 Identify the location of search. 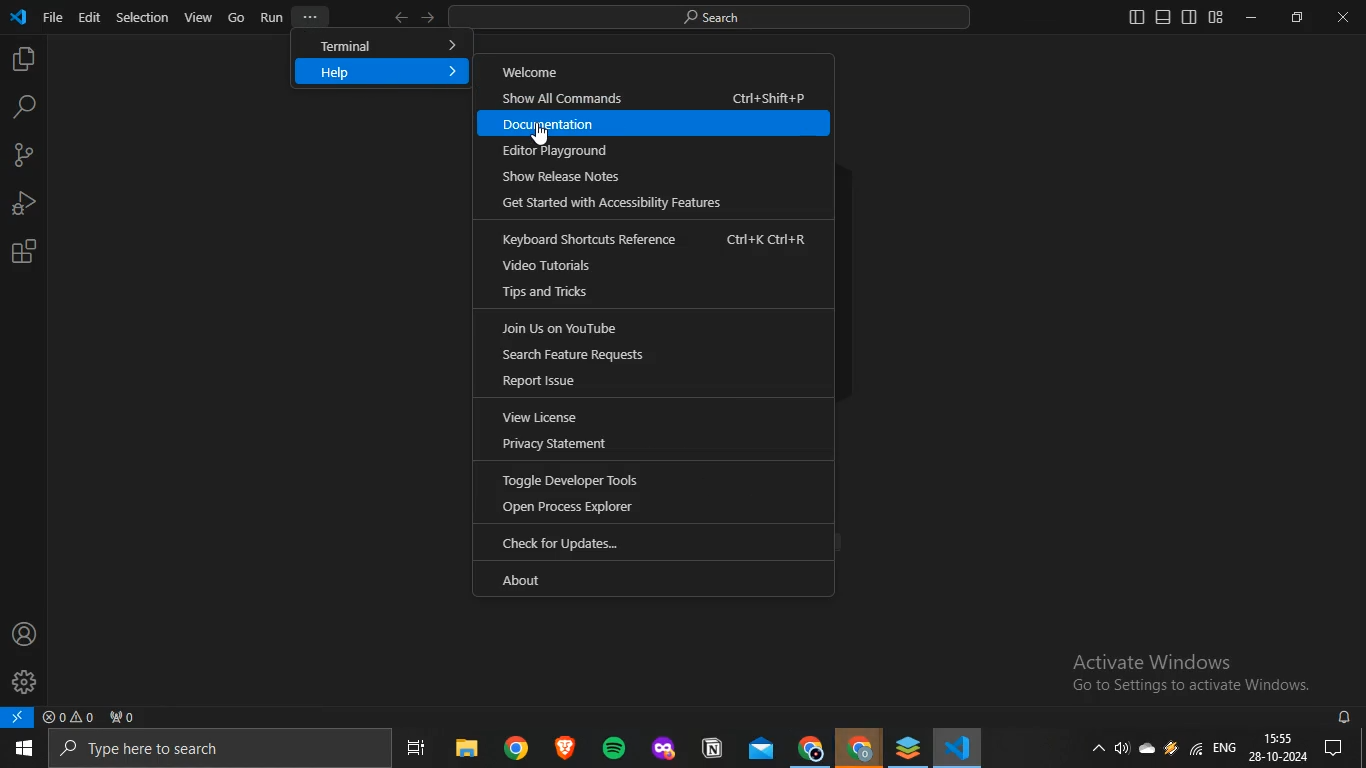
(722, 18).